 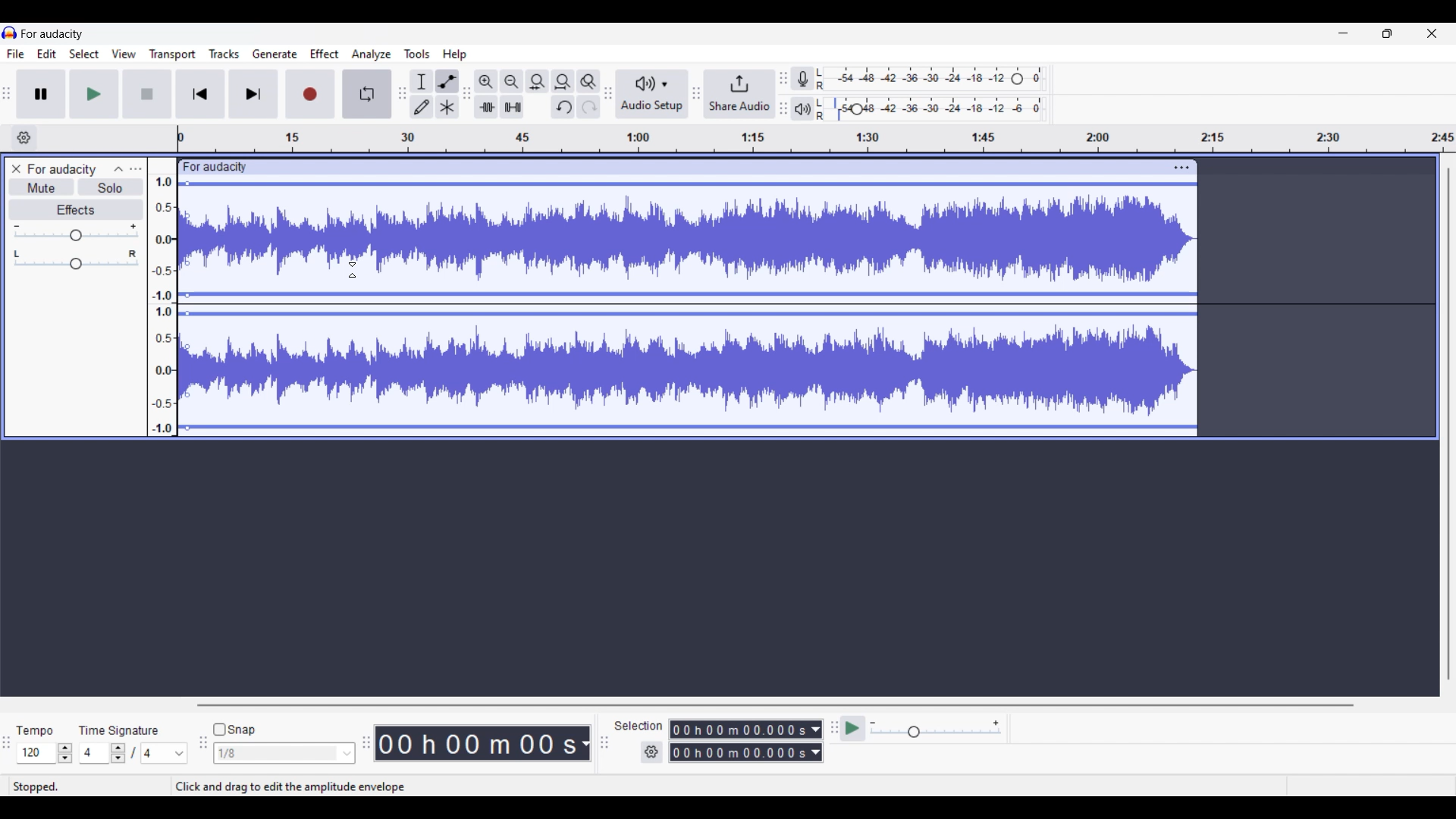 What do you see at coordinates (200, 93) in the screenshot?
I see `Skip/Select to start` at bounding box center [200, 93].